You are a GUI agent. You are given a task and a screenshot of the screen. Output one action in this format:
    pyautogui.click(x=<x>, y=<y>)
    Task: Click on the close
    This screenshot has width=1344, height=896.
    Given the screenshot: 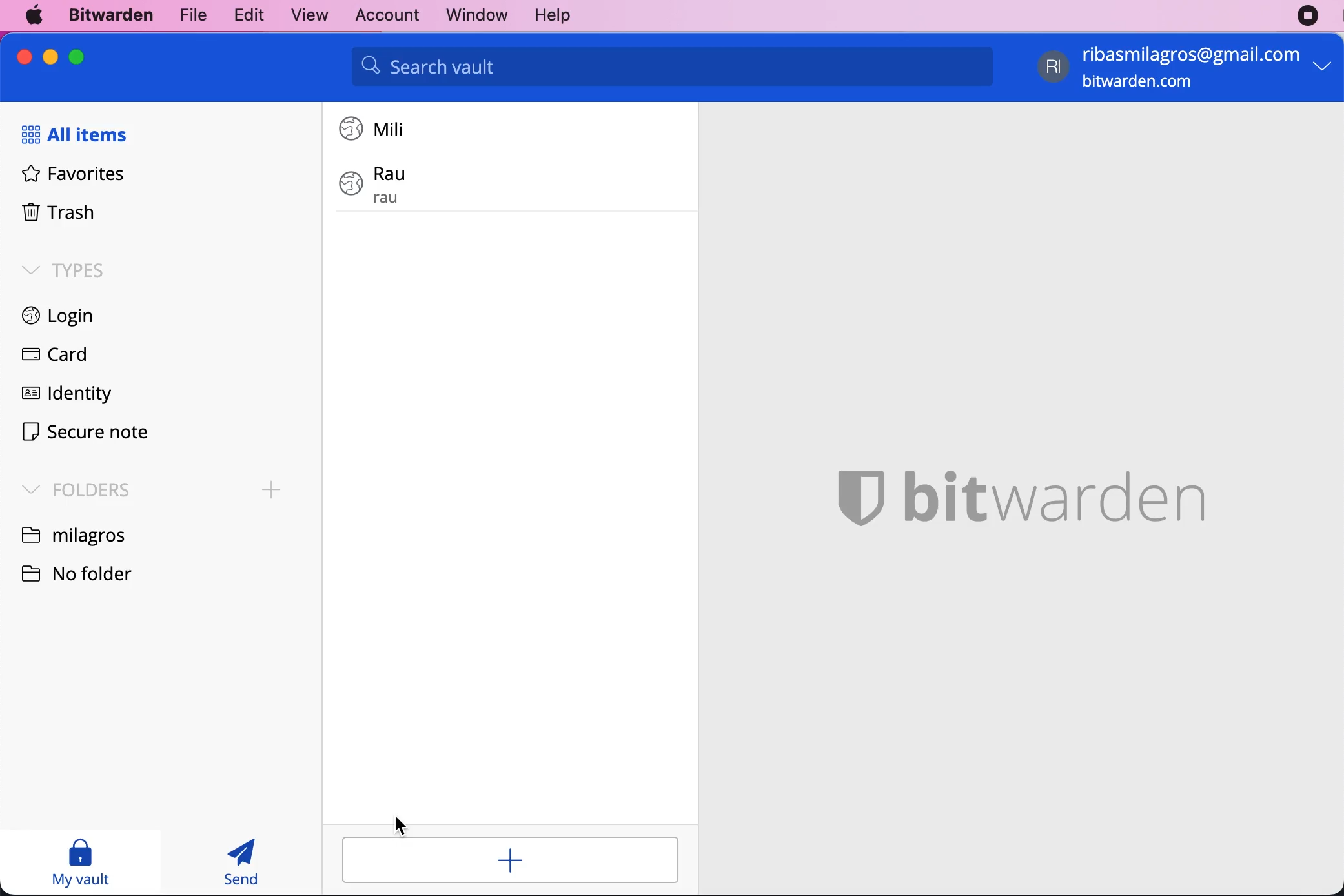 What is the action you would take?
    pyautogui.click(x=25, y=57)
    